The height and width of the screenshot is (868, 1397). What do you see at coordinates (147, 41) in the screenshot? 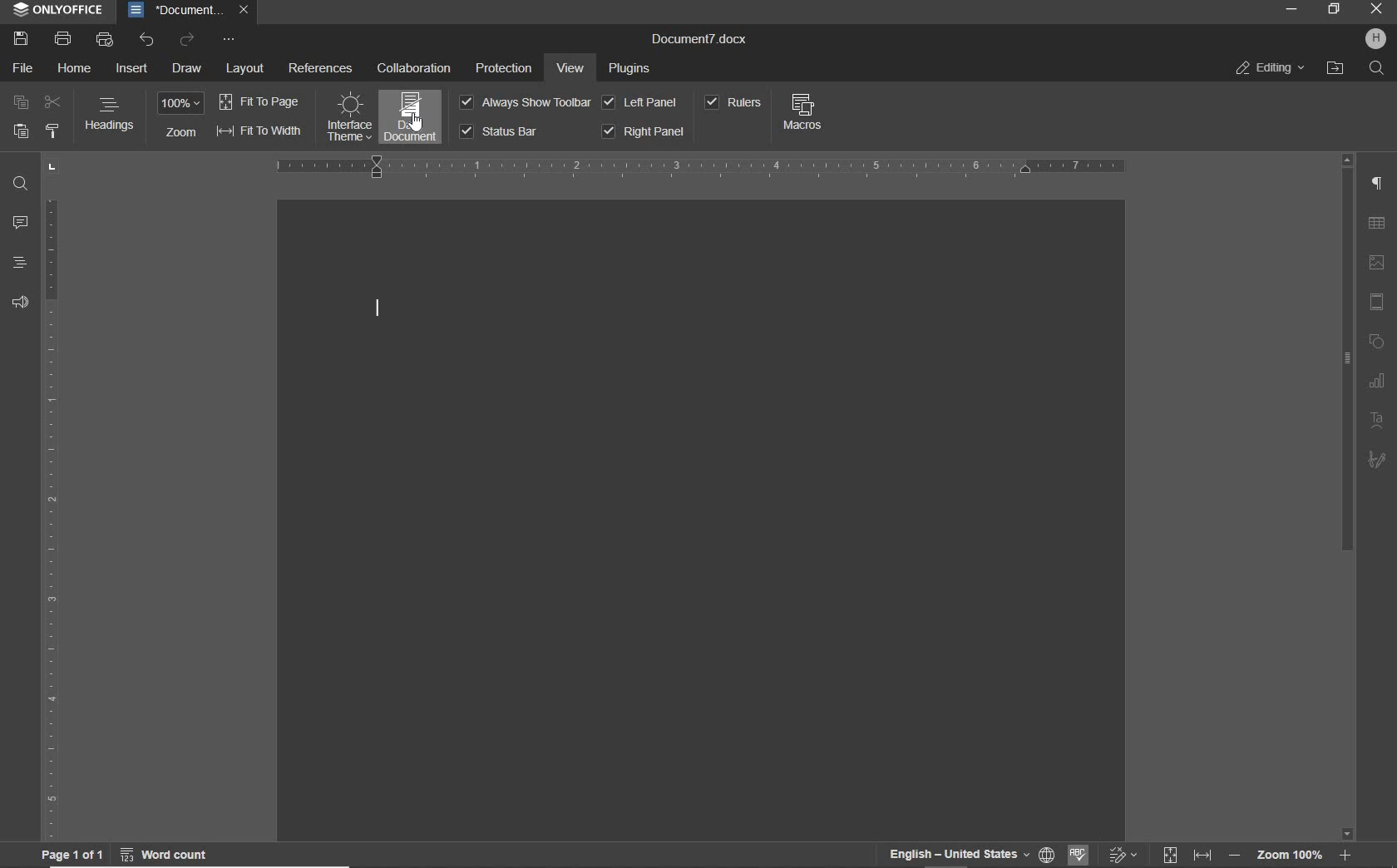
I see `UNDO` at bounding box center [147, 41].